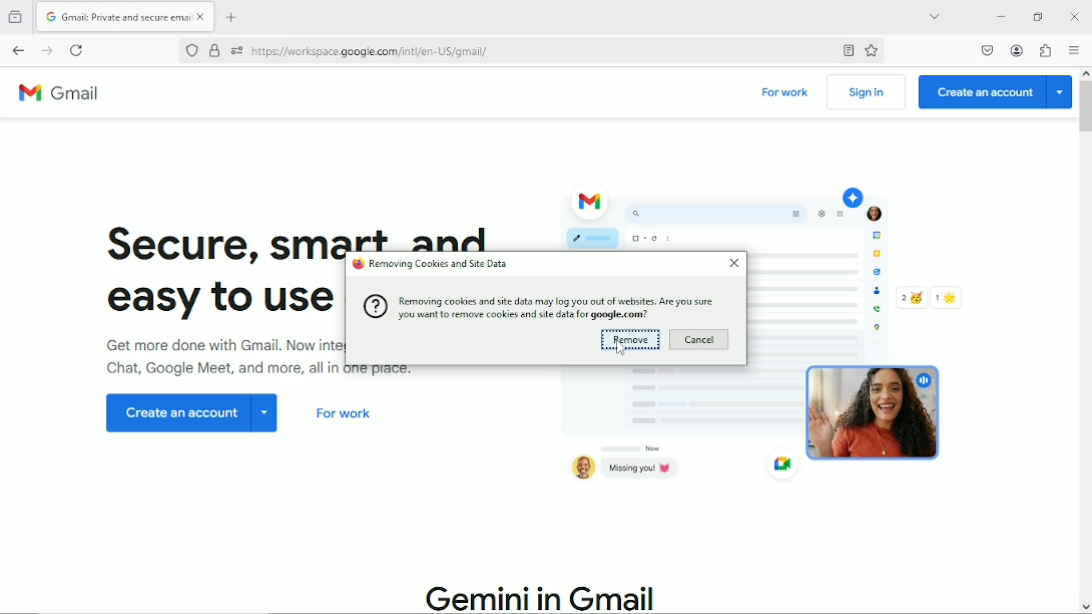 This screenshot has height=614, width=1092. What do you see at coordinates (880, 412) in the screenshot?
I see `image` at bounding box center [880, 412].